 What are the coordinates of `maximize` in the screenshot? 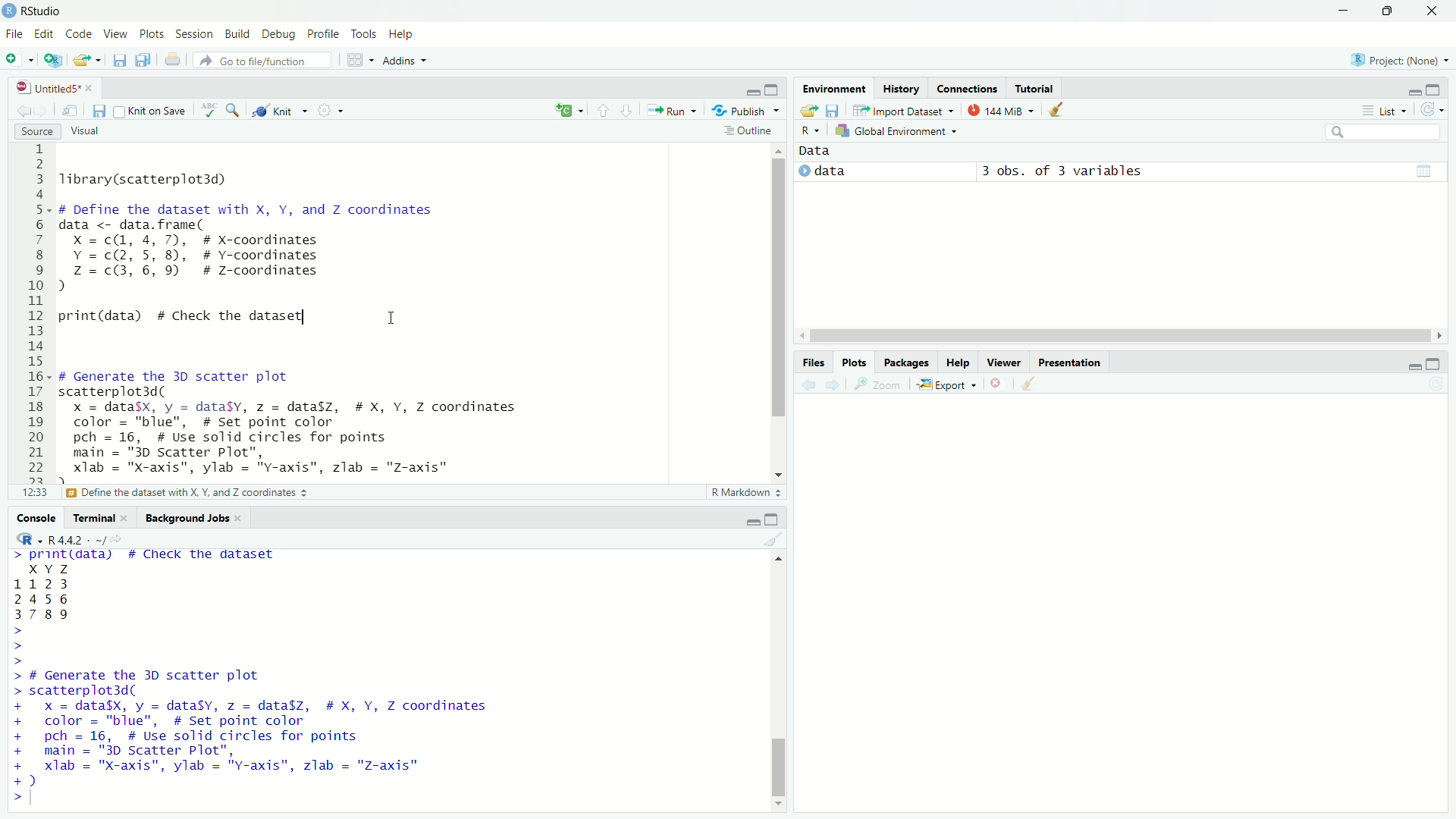 It's located at (773, 89).